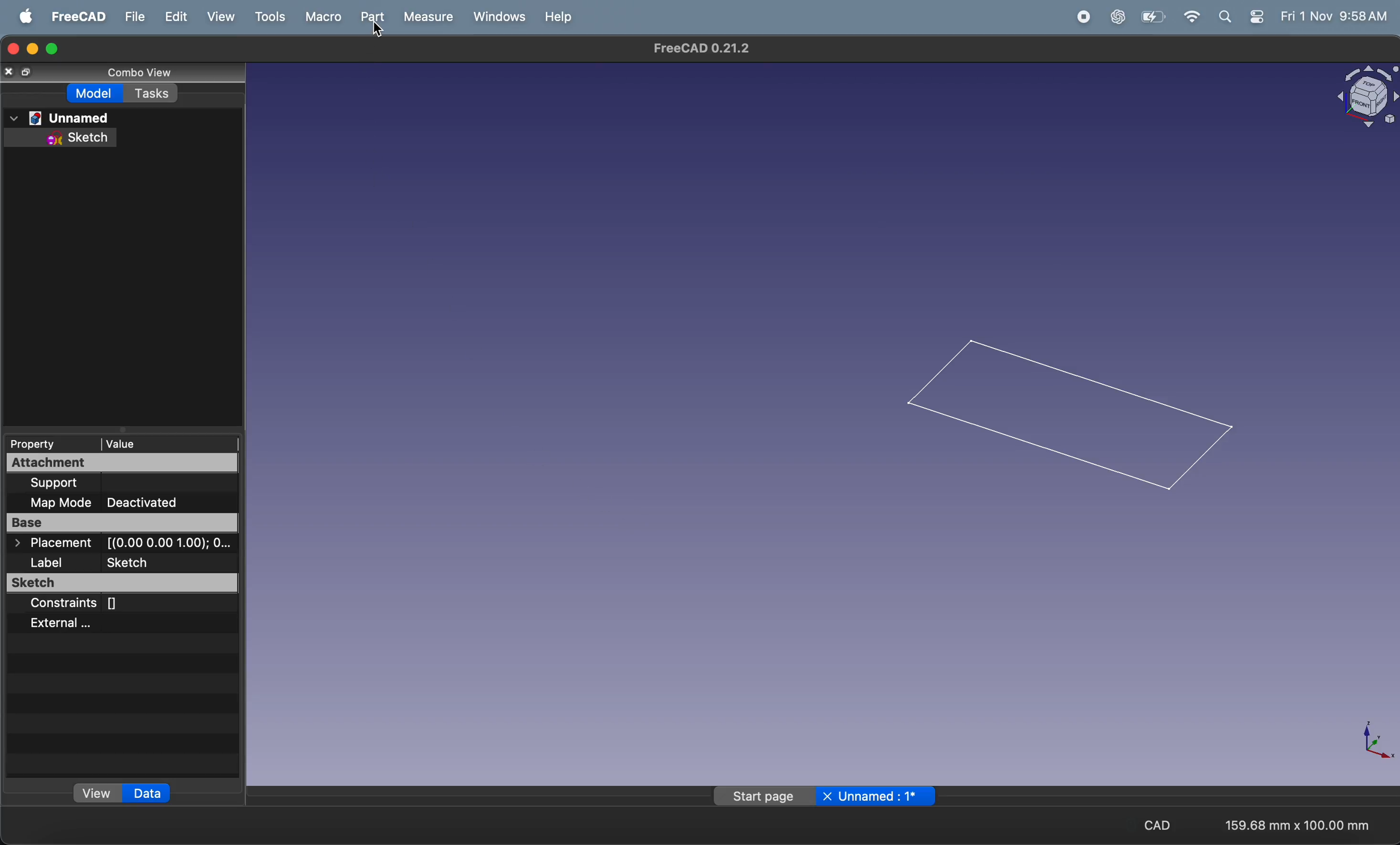 The image size is (1400, 845). Describe the element at coordinates (1081, 17) in the screenshot. I see `record` at that location.